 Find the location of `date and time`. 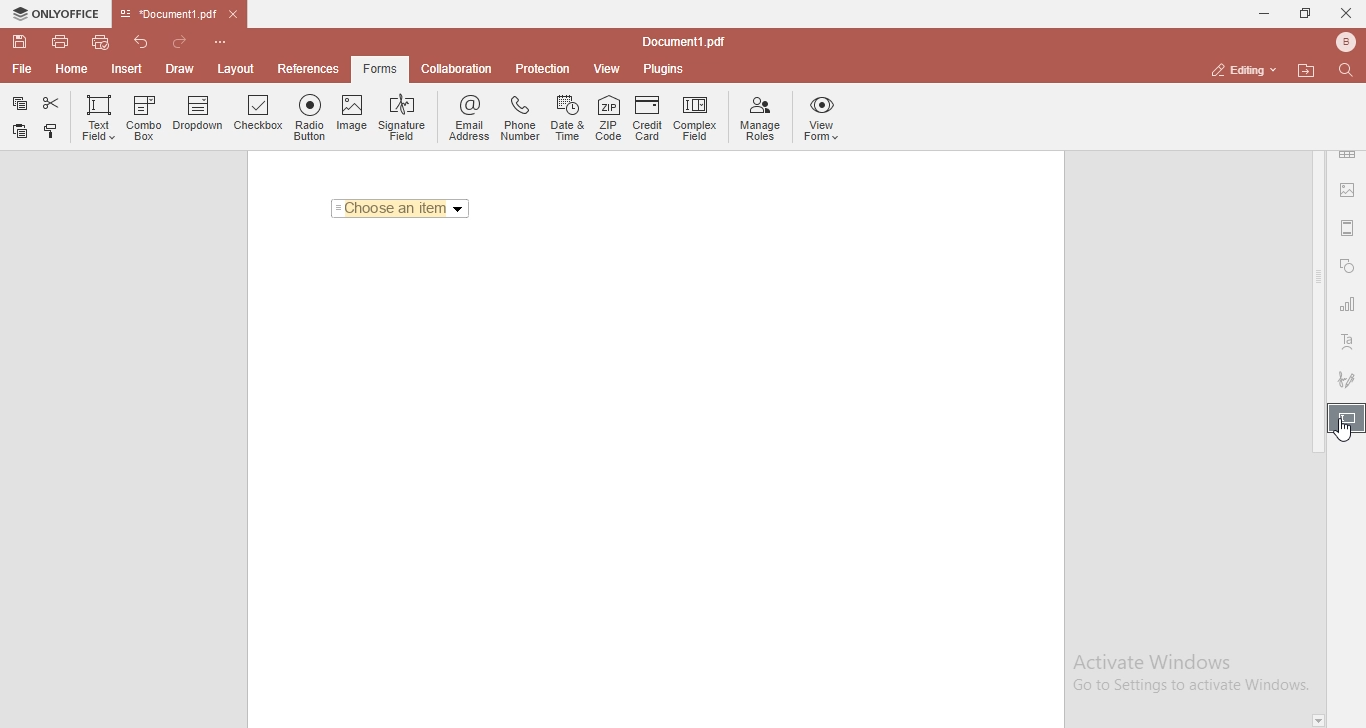

date and time is located at coordinates (569, 119).